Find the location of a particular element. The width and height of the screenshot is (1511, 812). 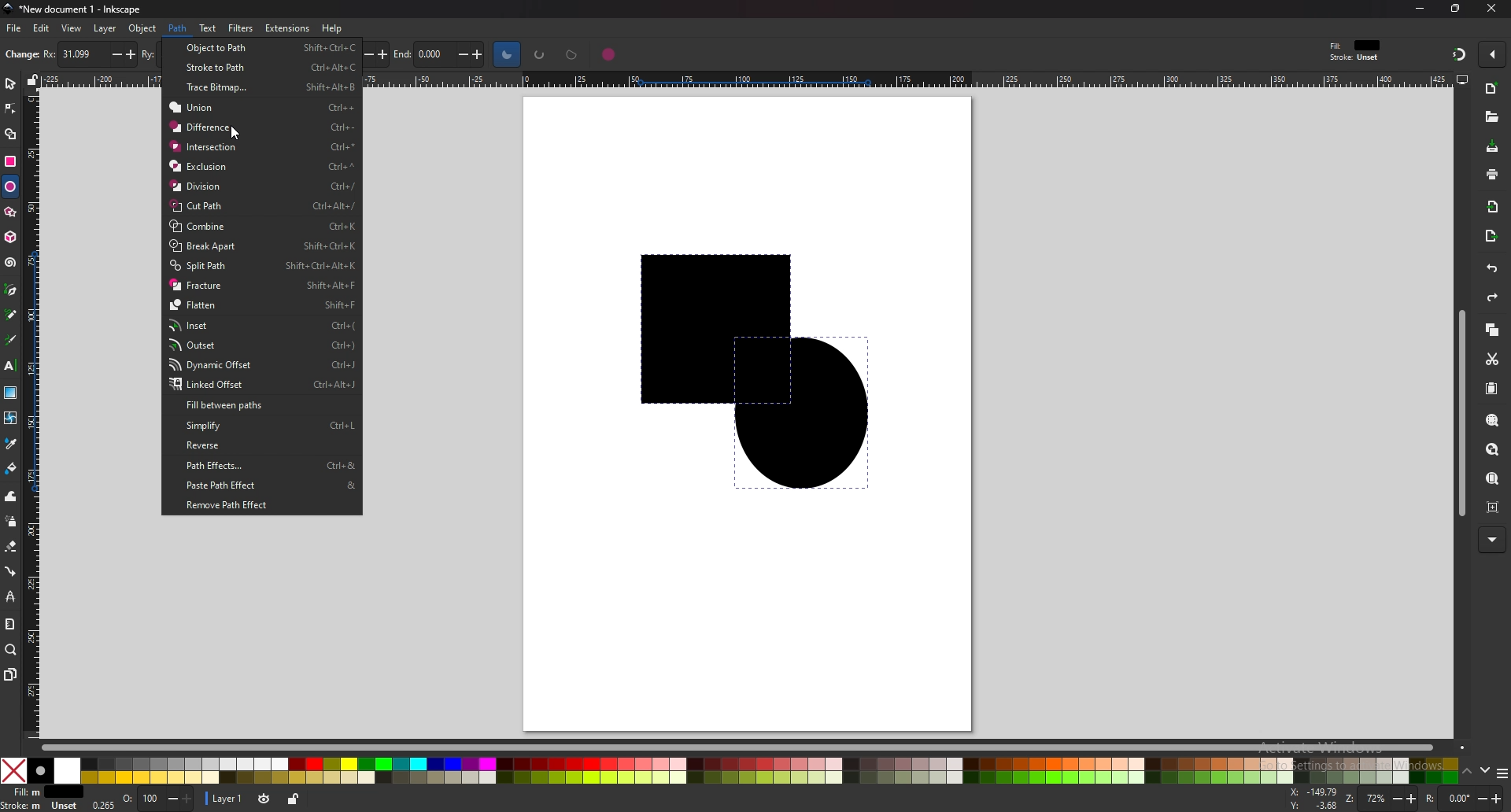

path is located at coordinates (179, 28).